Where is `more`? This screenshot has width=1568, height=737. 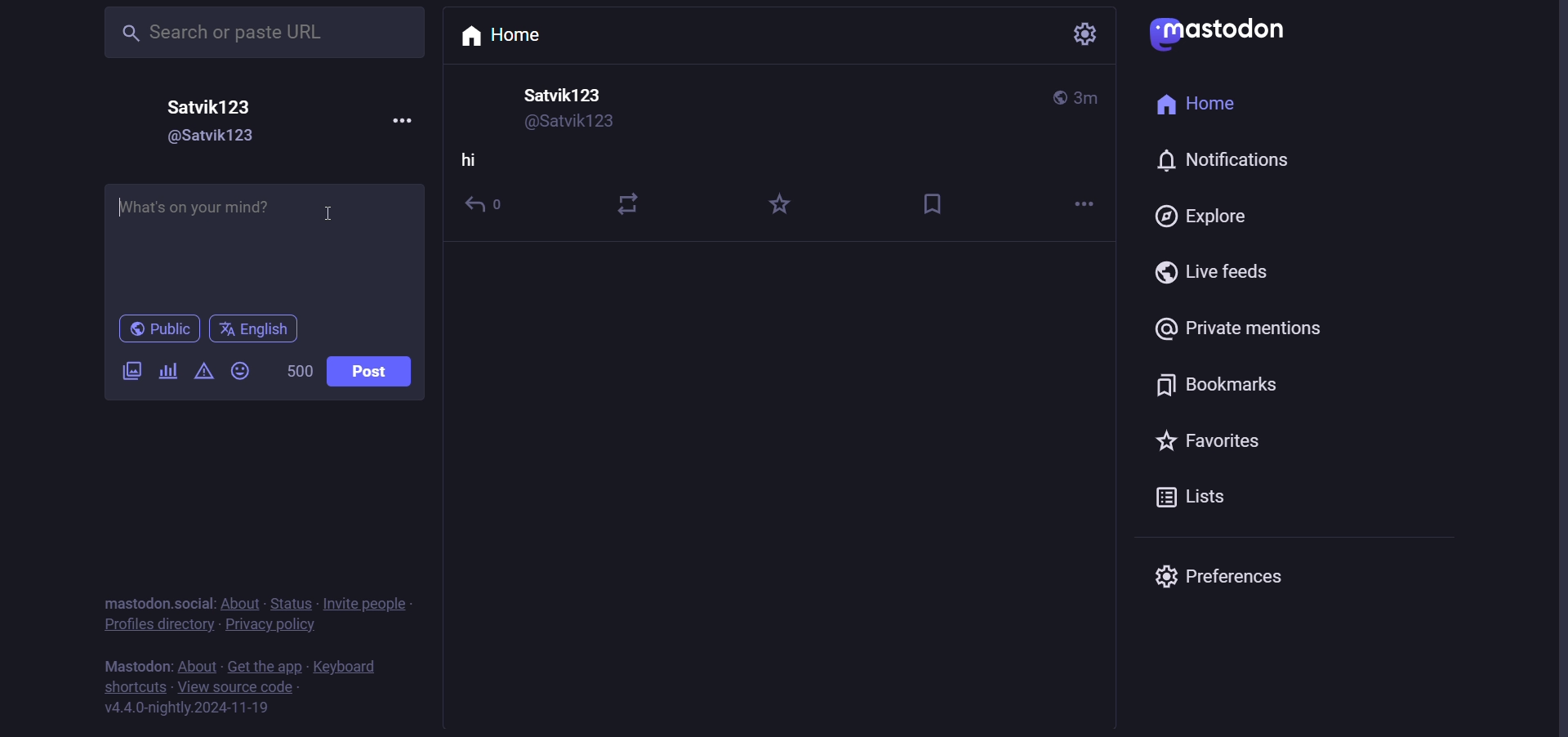
more is located at coordinates (401, 117).